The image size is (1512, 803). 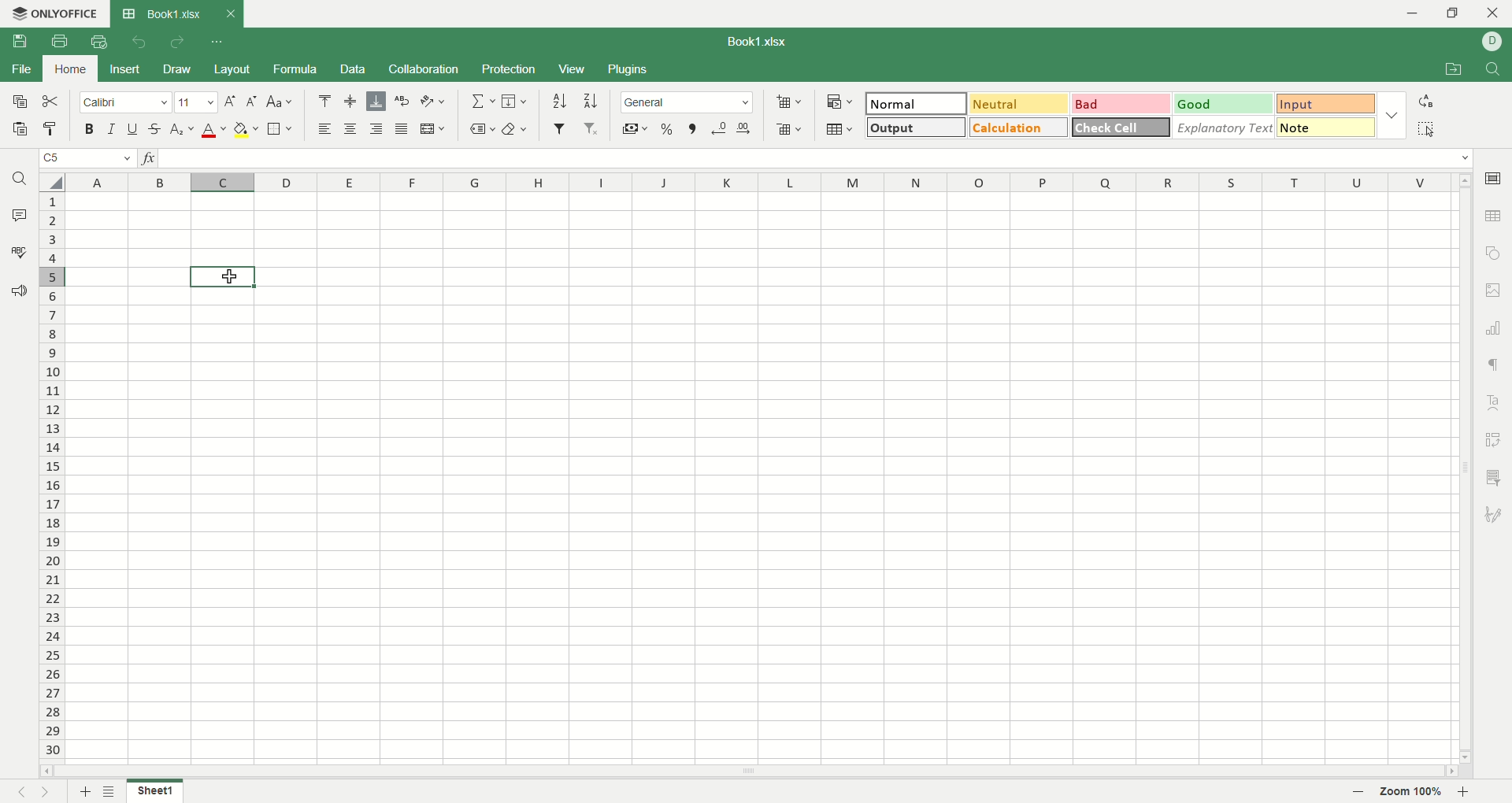 I want to click on vertical scroll bar, so click(x=1461, y=471).